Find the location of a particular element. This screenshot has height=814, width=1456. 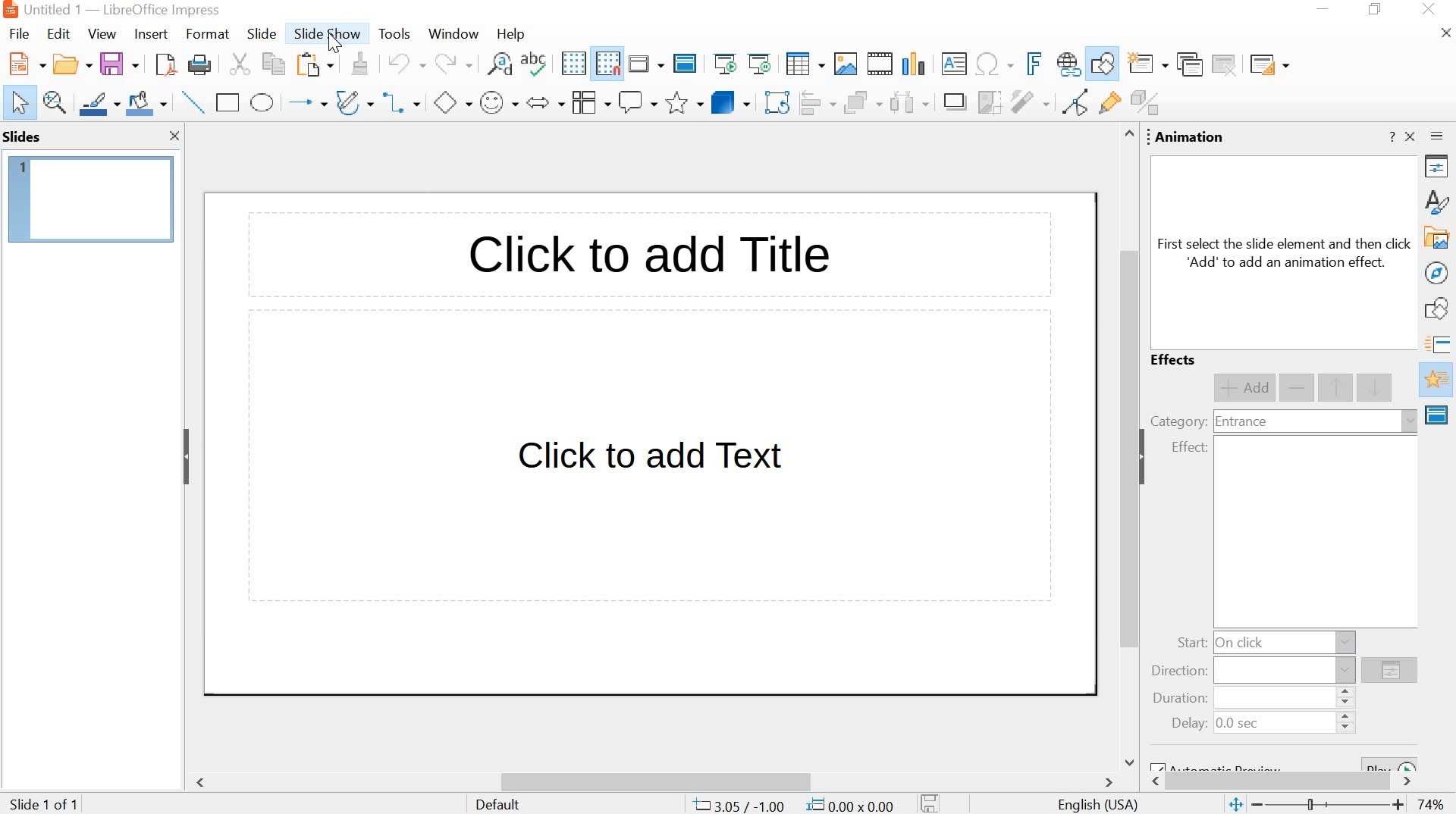

file name is located at coordinates (53, 9).